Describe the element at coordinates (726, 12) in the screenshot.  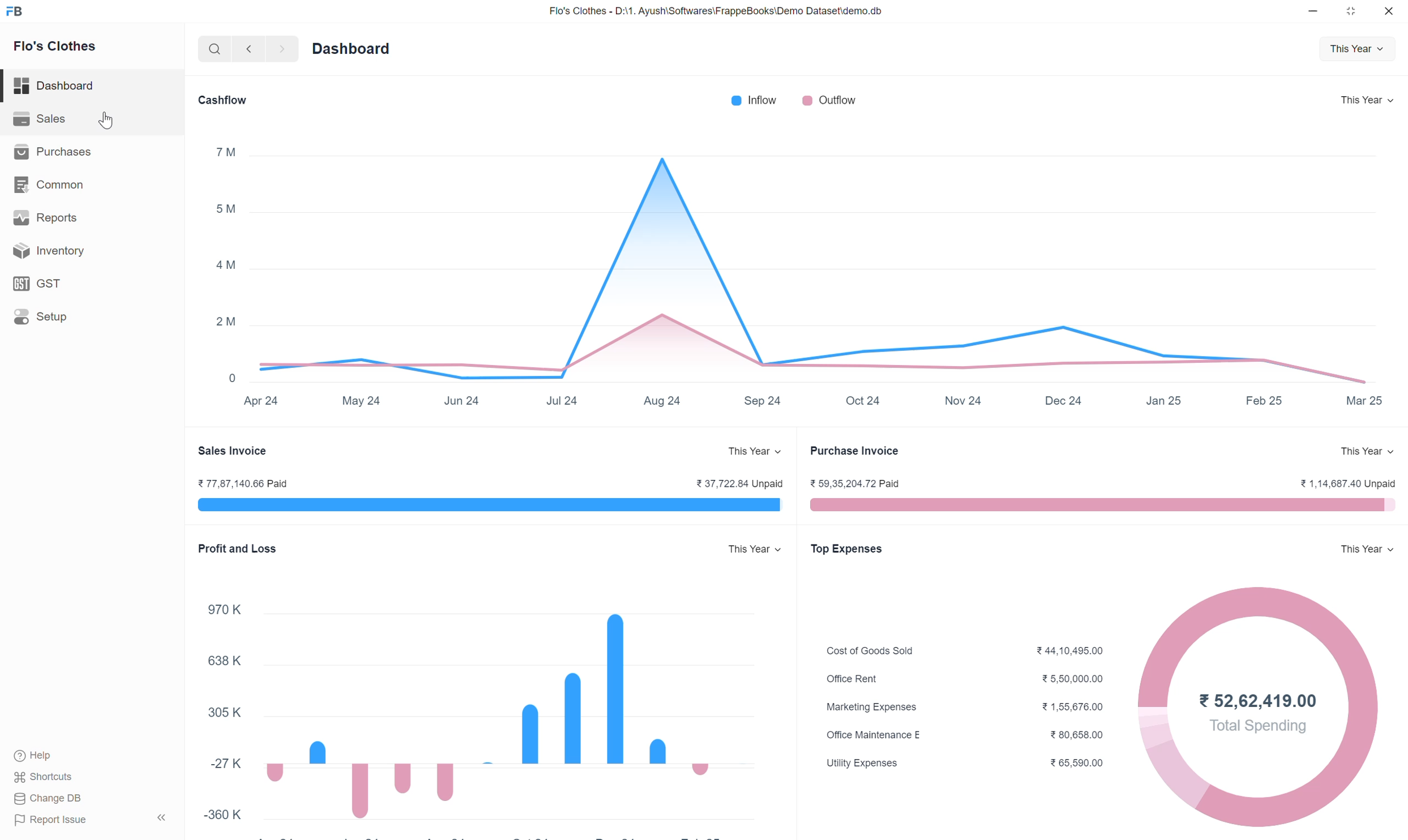
I see `Flo's Clothes - D:\1. Ayush\Softwares\FrappeBooks\Demo Dataset\demo.db` at that location.